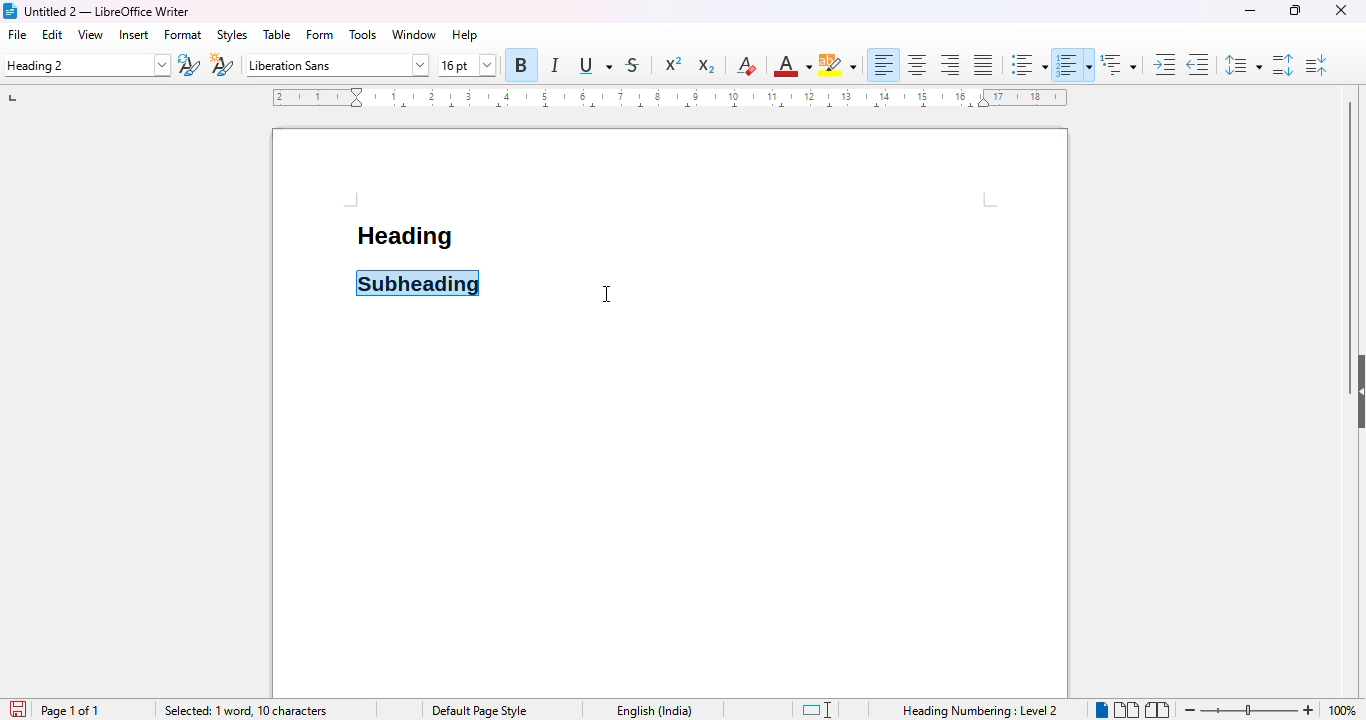  Describe the element at coordinates (1118, 64) in the screenshot. I see `set outline format` at that location.